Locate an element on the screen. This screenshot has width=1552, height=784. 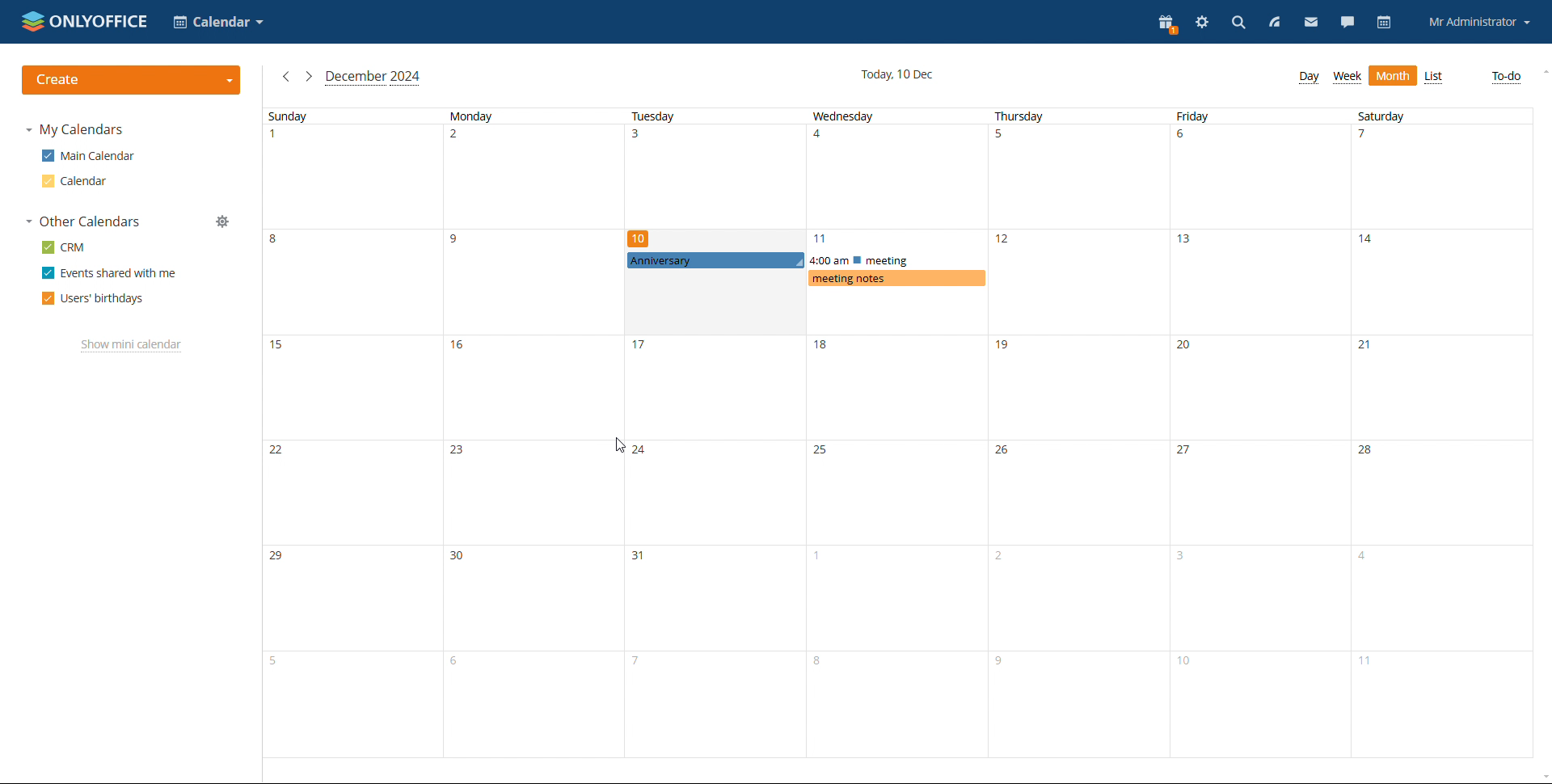
events shared with me is located at coordinates (111, 273).